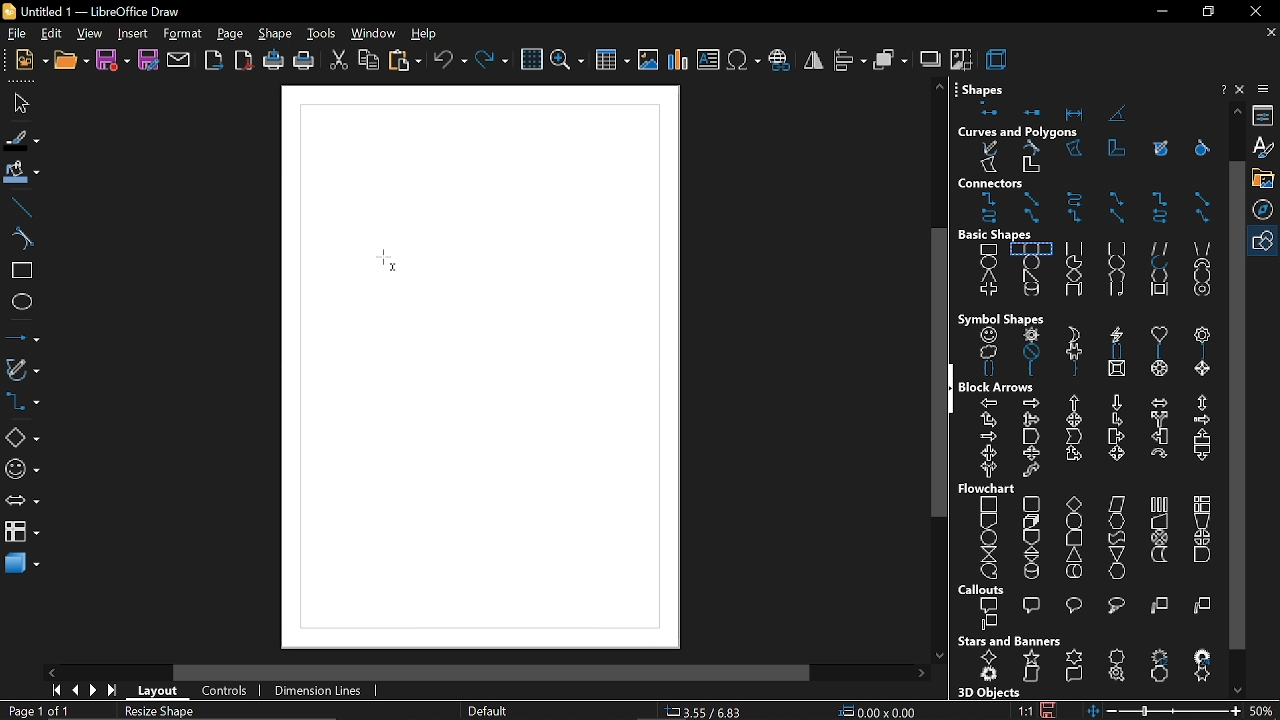 Image resolution: width=1280 pixels, height=720 pixels. I want to click on symbol shapes, so click(22, 470).